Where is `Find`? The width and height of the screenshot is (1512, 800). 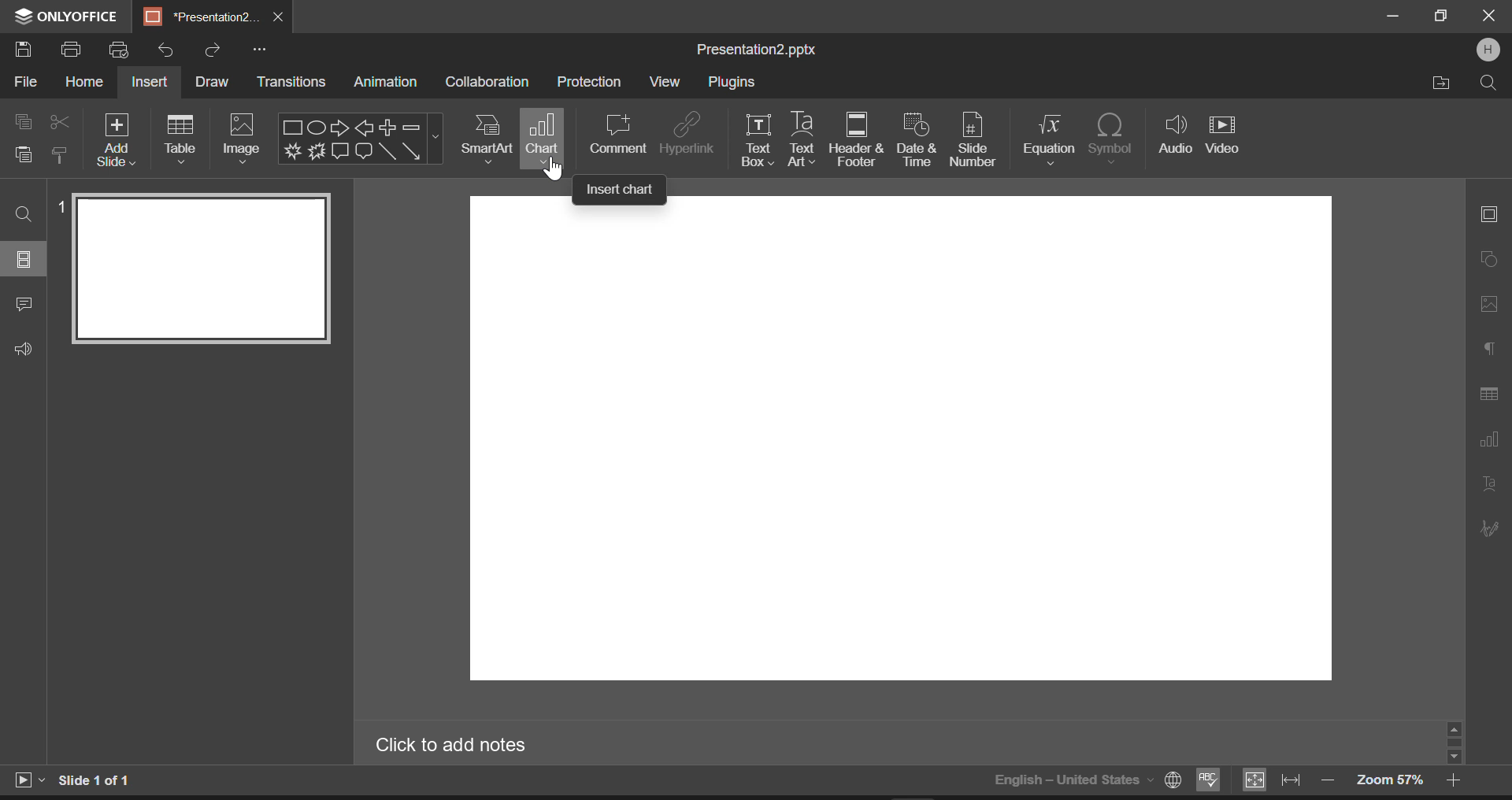
Find is located at coordinates (24, 213).